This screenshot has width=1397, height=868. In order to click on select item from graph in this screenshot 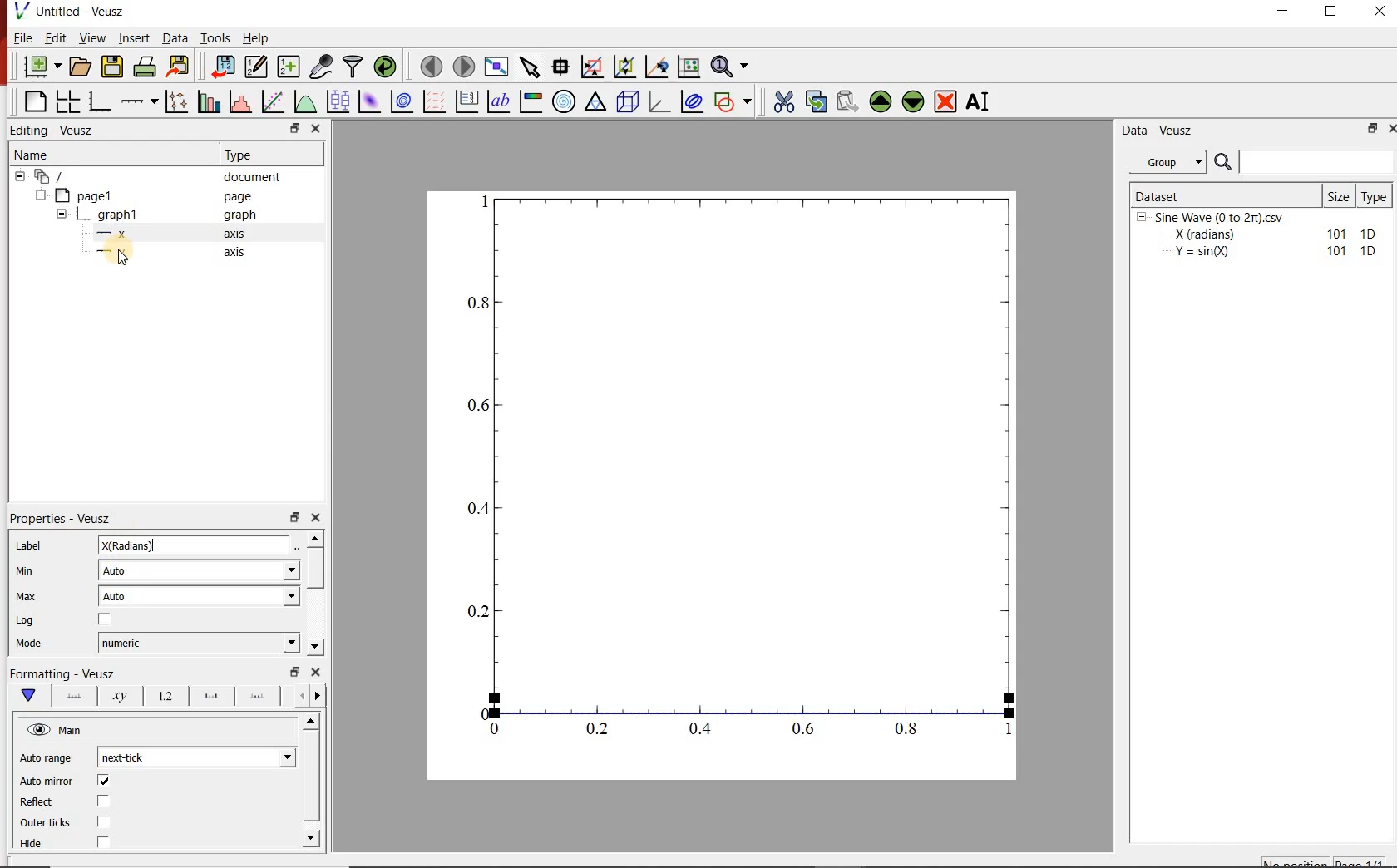, I will do `click(531, 65)`.